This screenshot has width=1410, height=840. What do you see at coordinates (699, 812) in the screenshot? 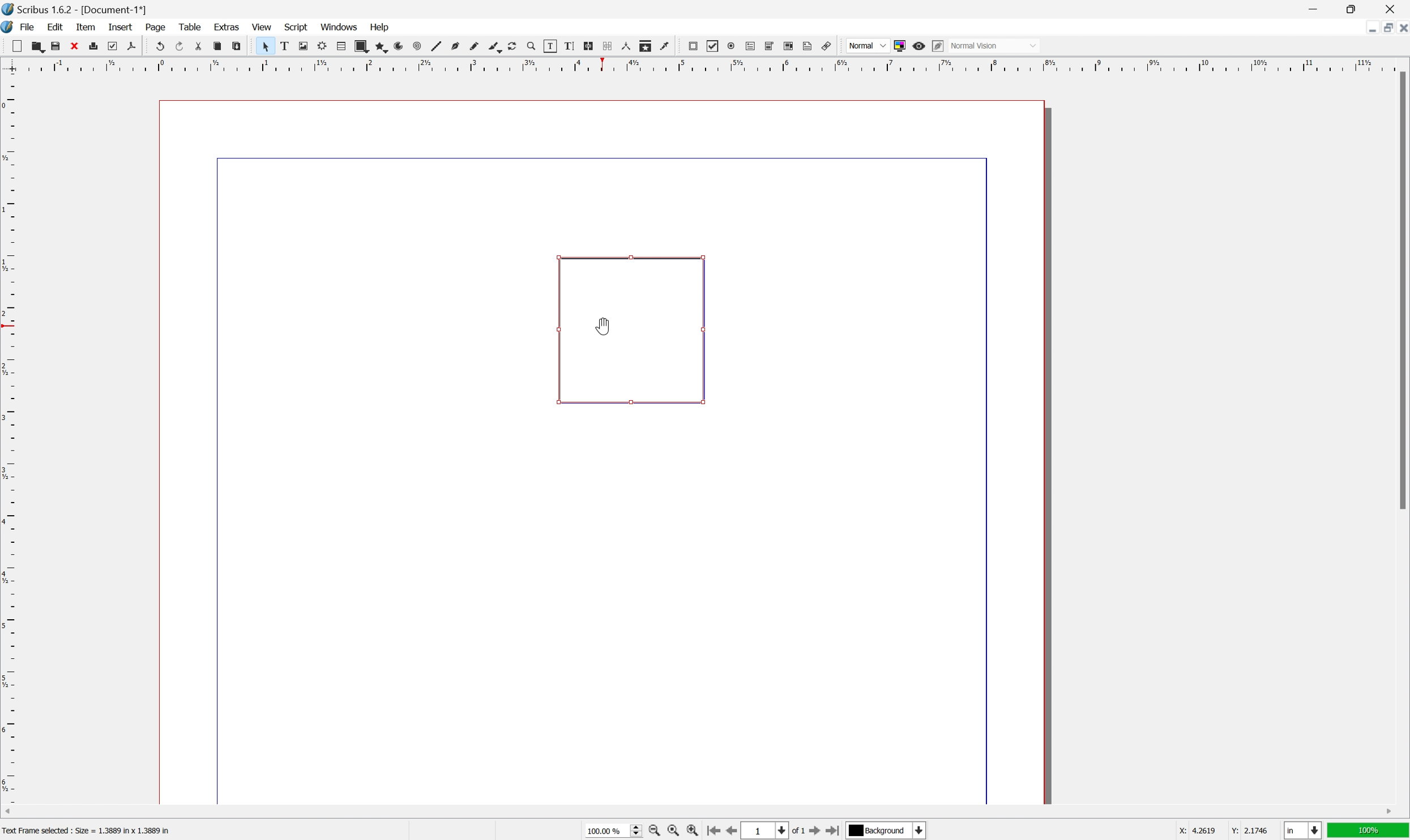
I see `scroll bar` at bounding box center [699, 812].